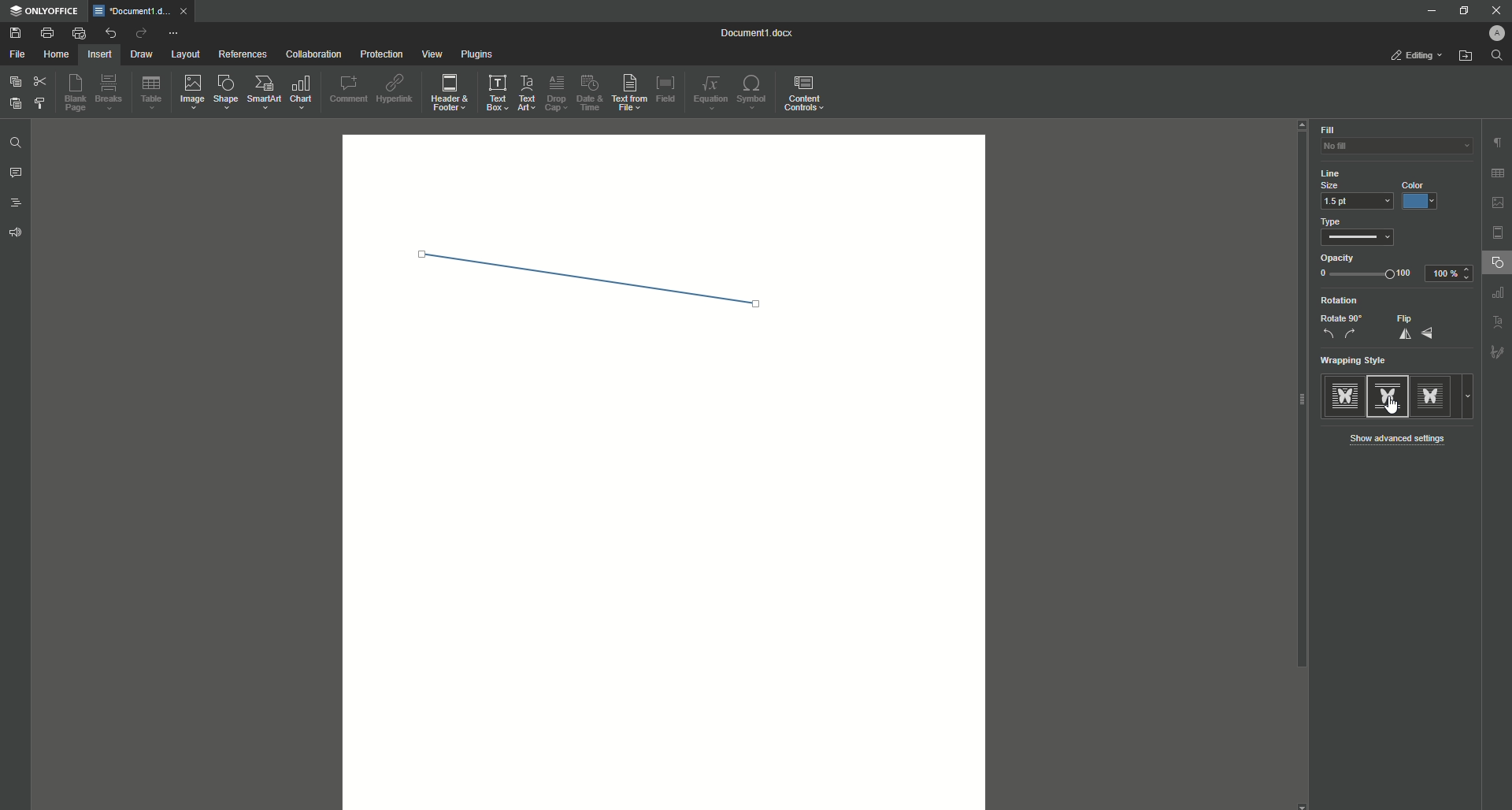 The image size is (1512, 810). Describe the element at coordinates (1496, 170) in the screenshot. I see `grid` at that location.